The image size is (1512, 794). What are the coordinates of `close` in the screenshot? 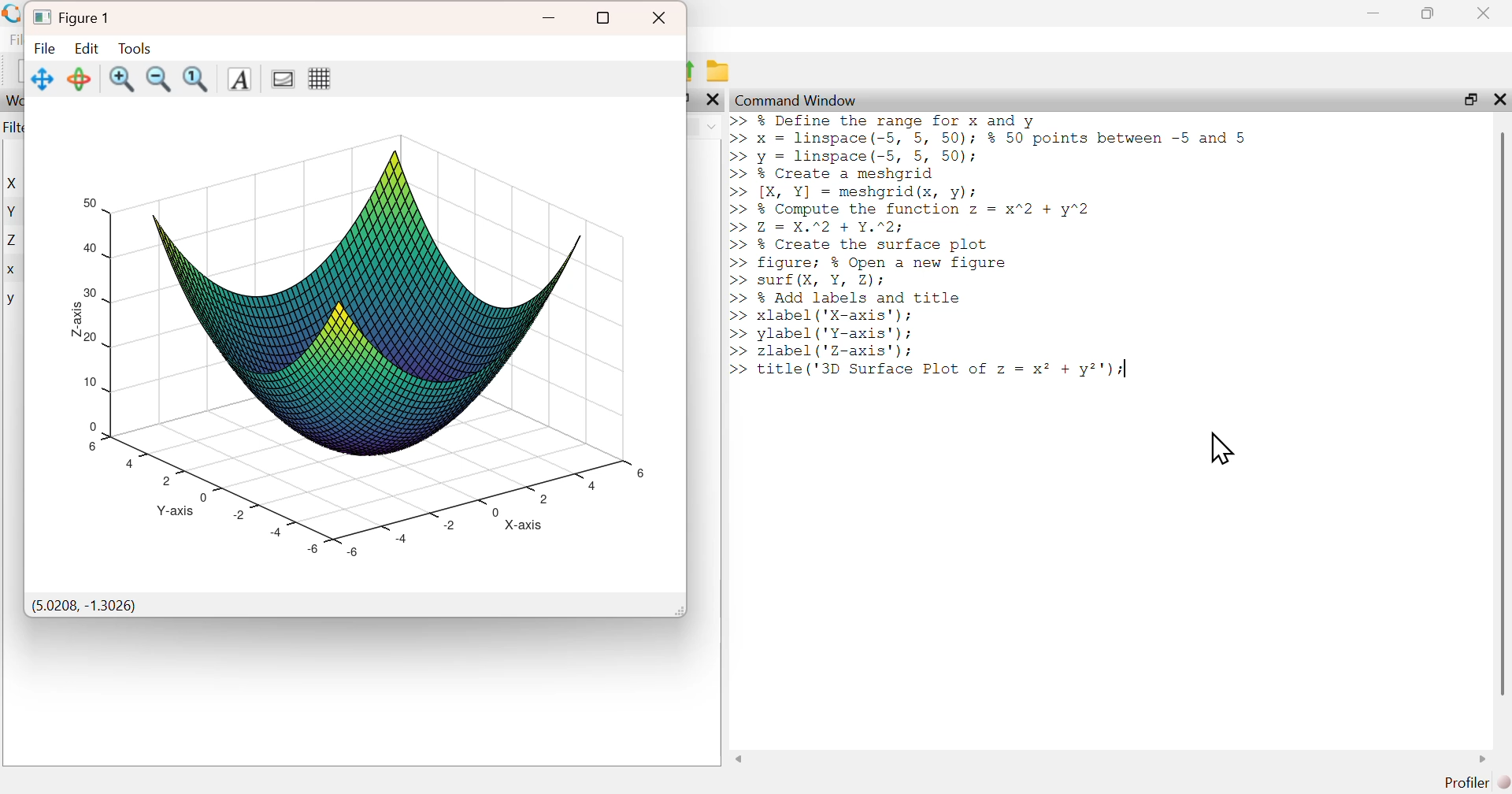 It's located at (1486, 13).